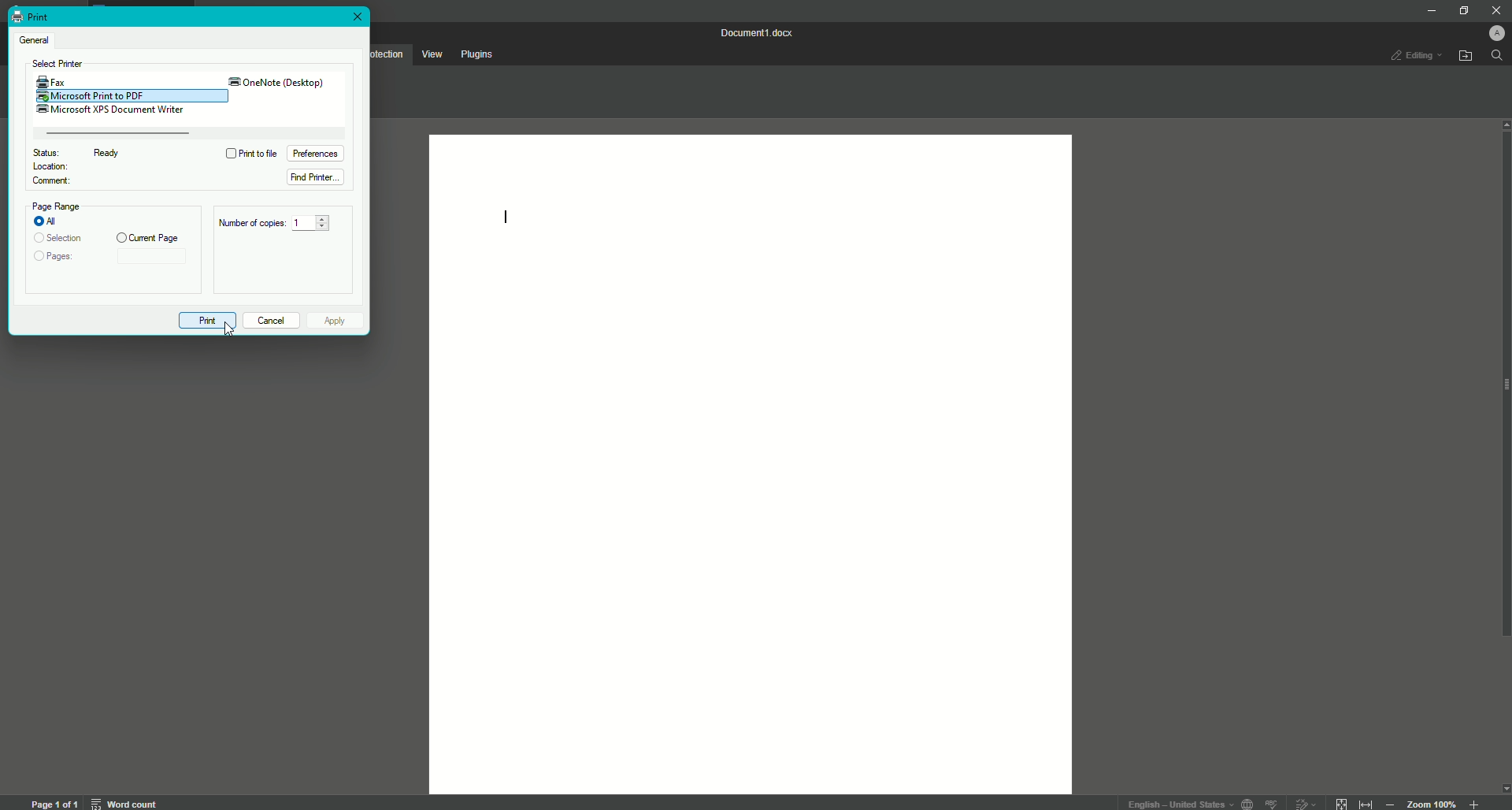 This screenshot has width=1512, height=810. I want to click on Plugins, so click(480, 54).